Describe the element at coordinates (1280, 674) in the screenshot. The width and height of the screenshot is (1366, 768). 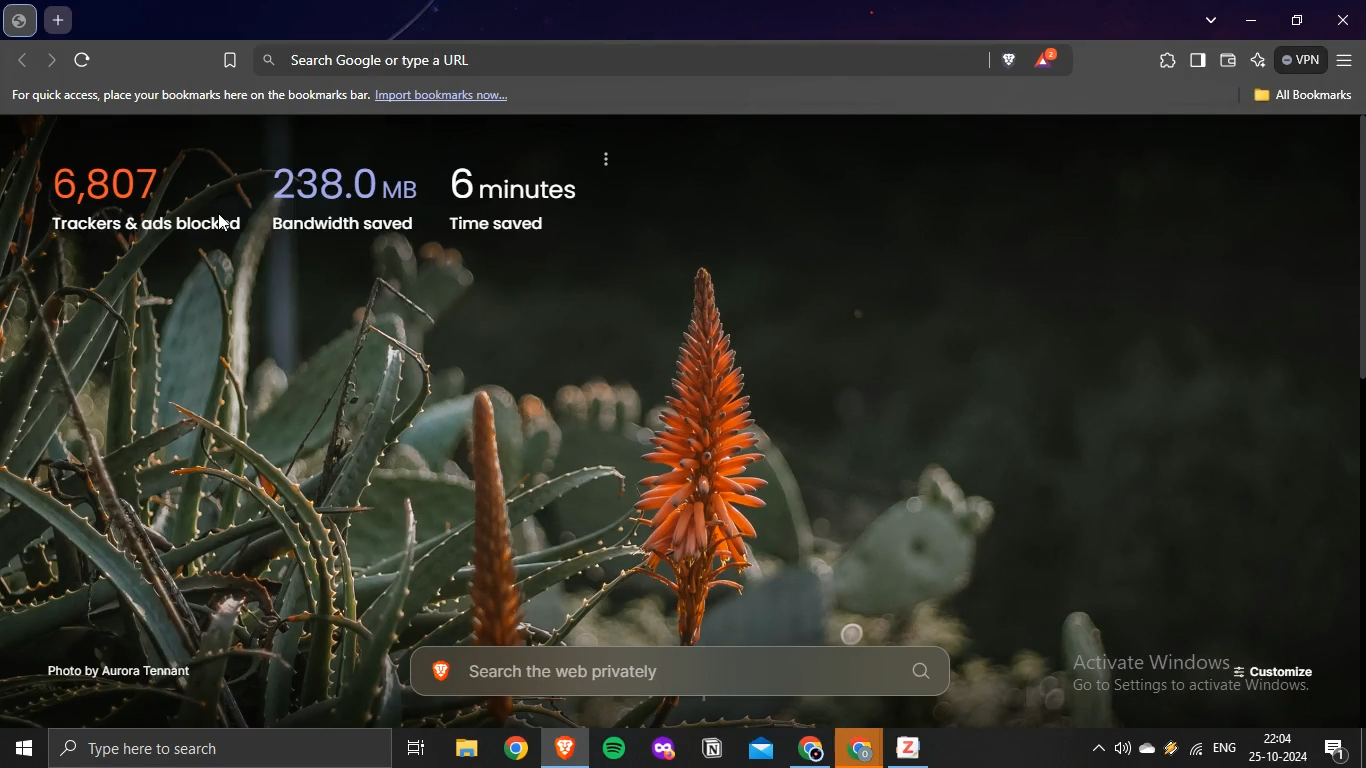
I see `customize` at that location.